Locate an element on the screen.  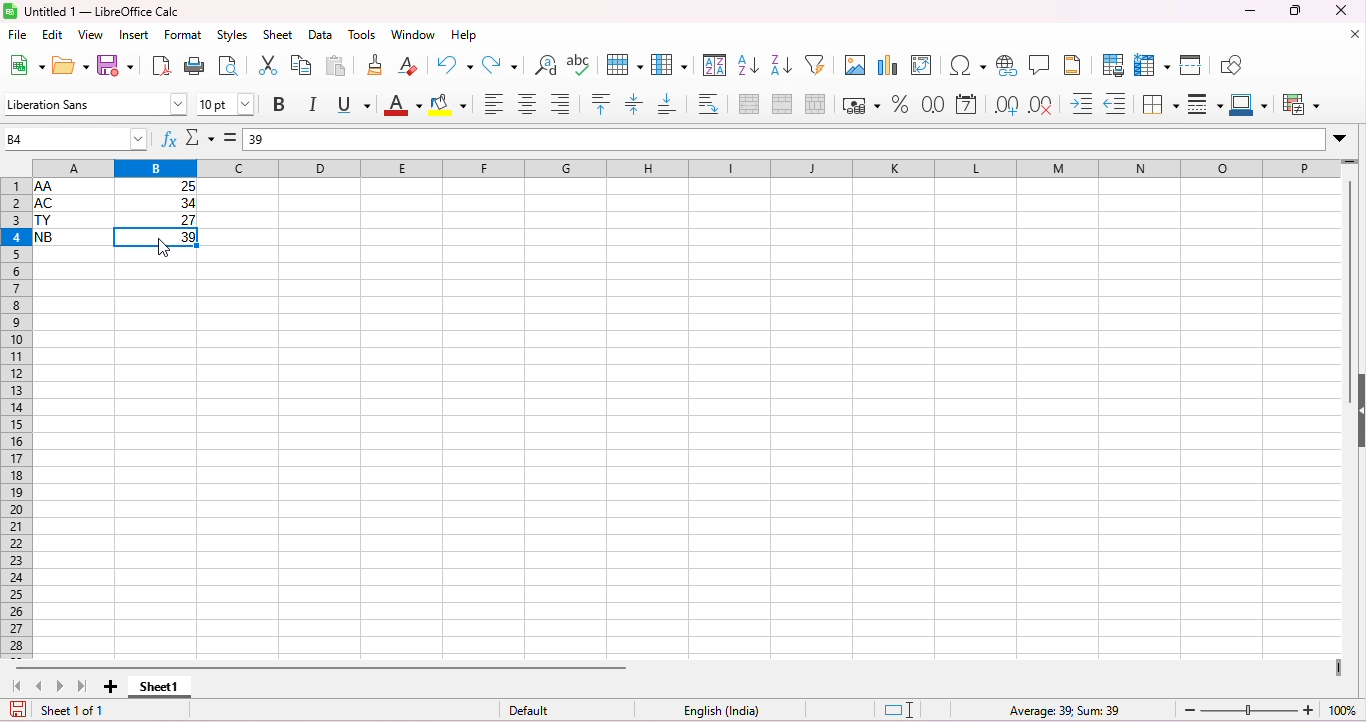
first sheet is located at coordinates (22, 686).